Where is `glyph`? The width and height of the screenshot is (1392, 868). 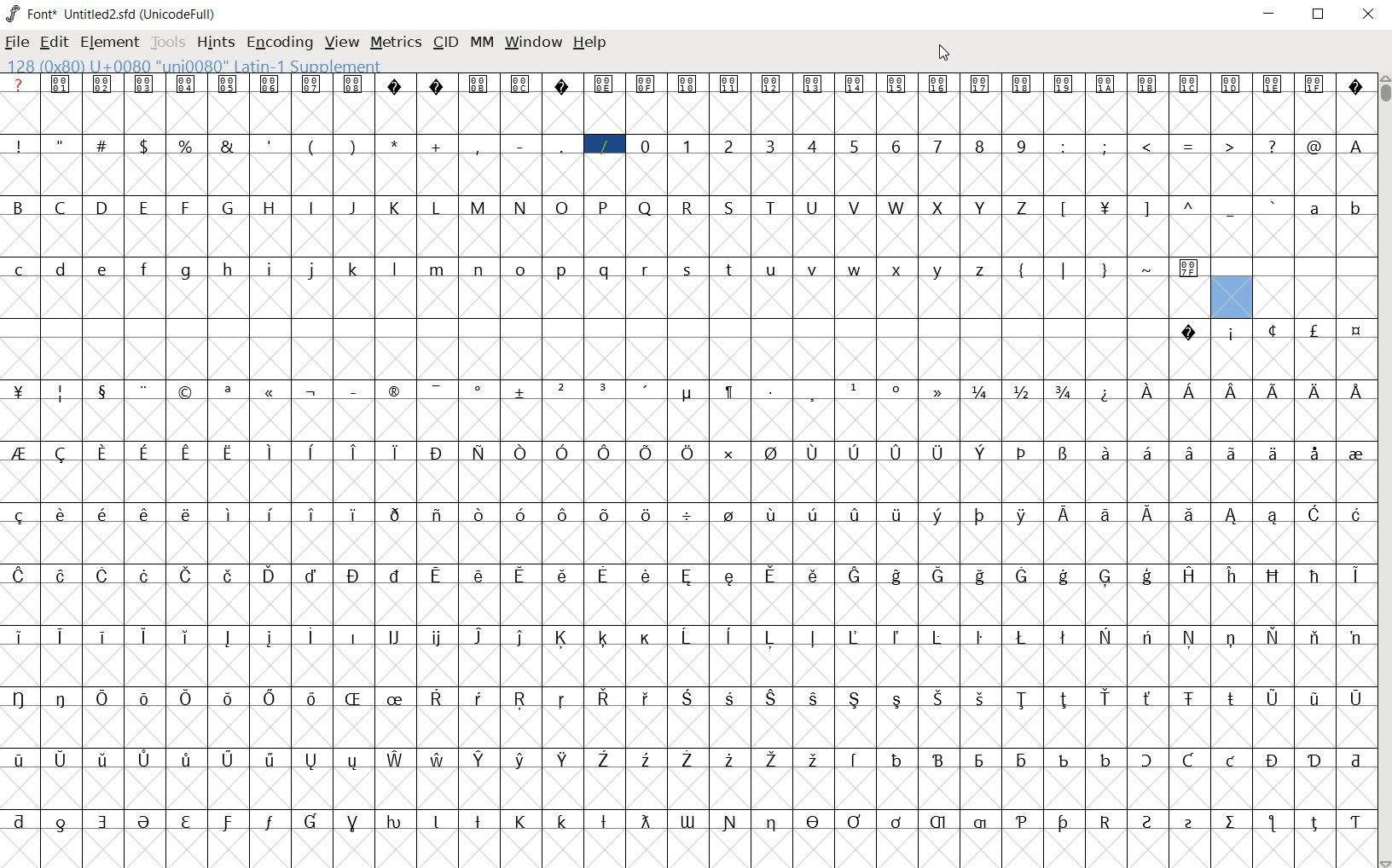 glyph is located at coordinates (351, 762).